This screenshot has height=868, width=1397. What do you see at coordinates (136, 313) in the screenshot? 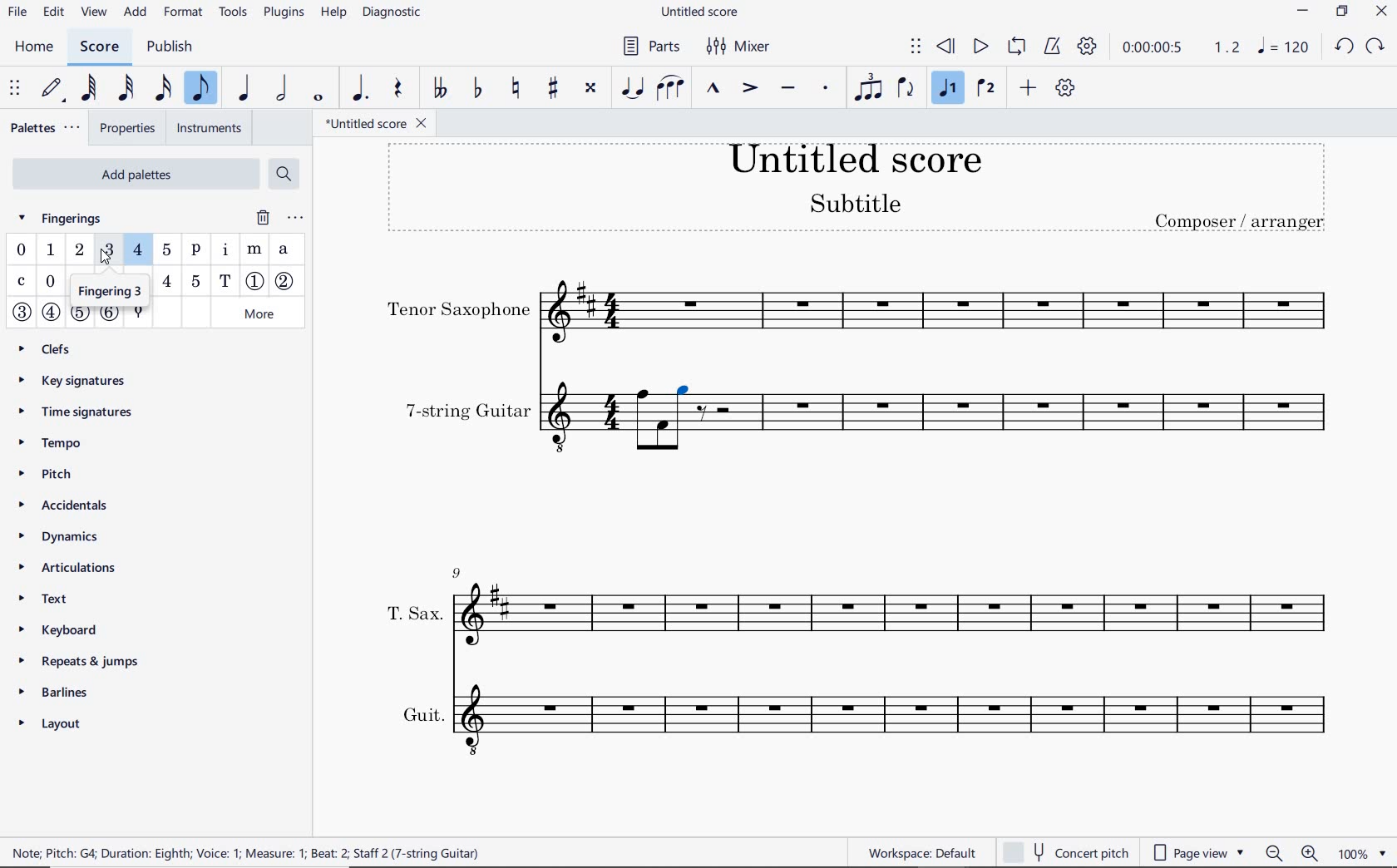
I see `thumb position` at bounding box center [136, 313].